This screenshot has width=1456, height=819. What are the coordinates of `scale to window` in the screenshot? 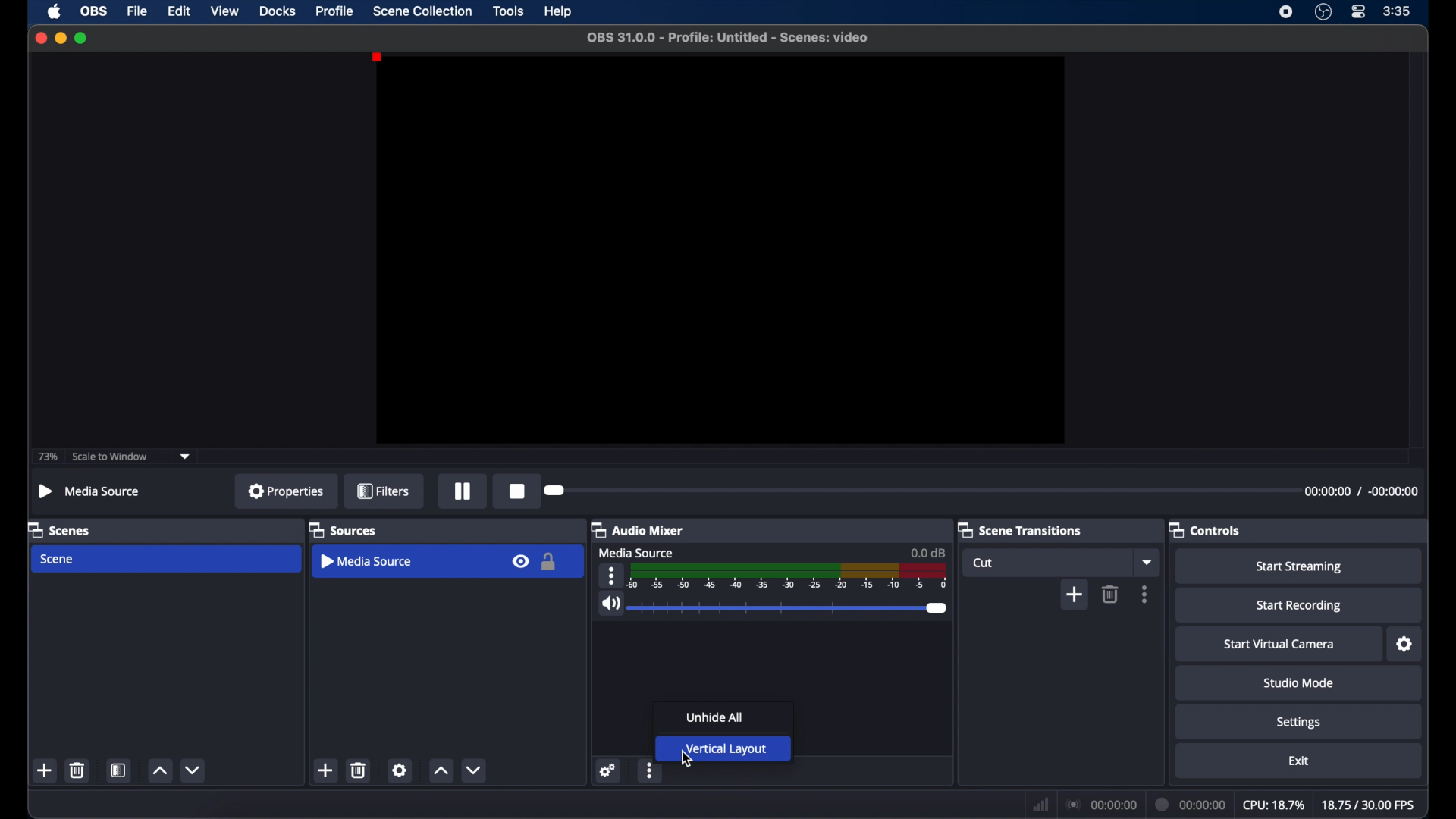 It's located at (110, 456).